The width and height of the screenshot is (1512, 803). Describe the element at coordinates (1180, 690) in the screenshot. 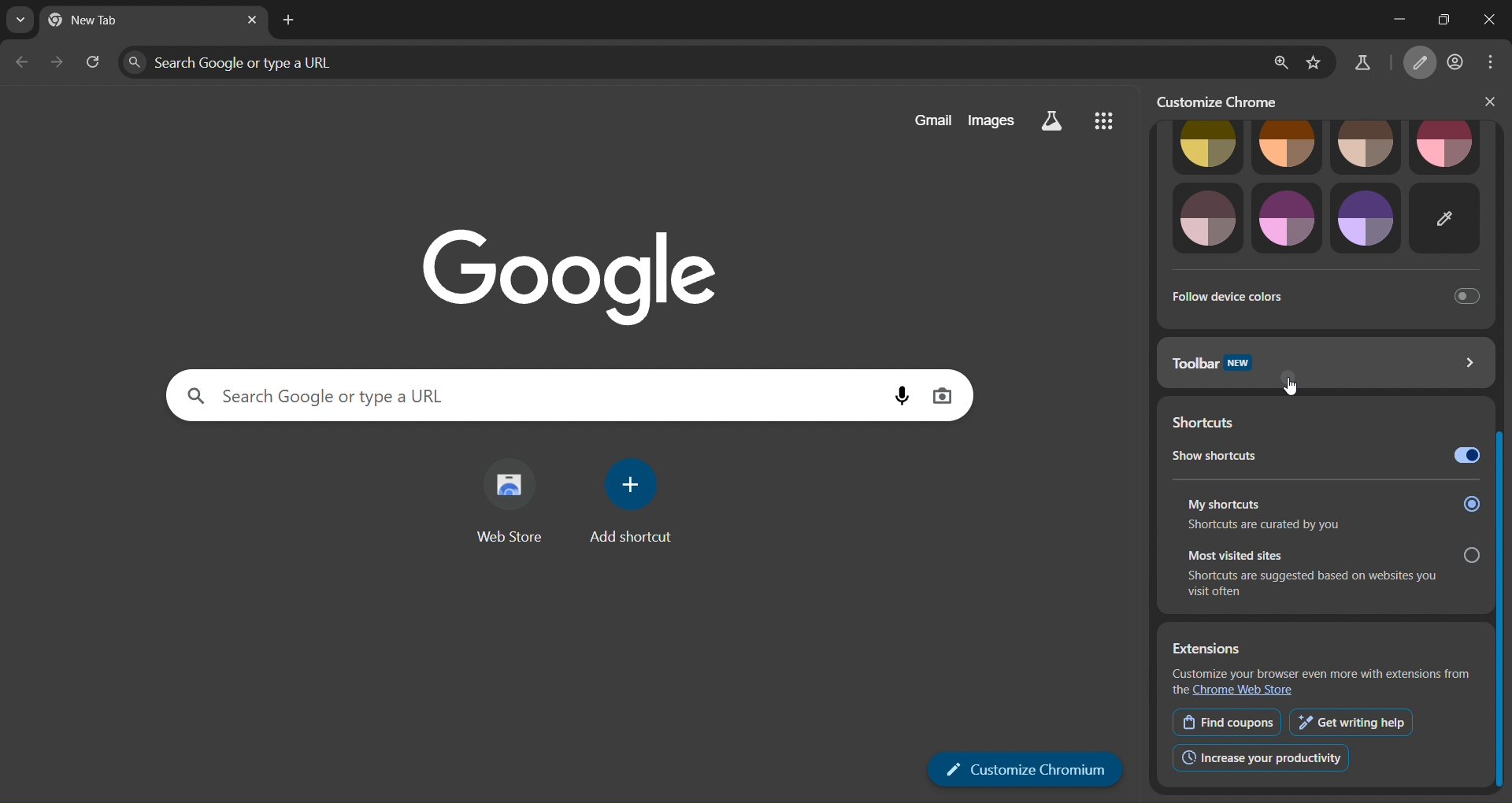

I see `the` at that location.